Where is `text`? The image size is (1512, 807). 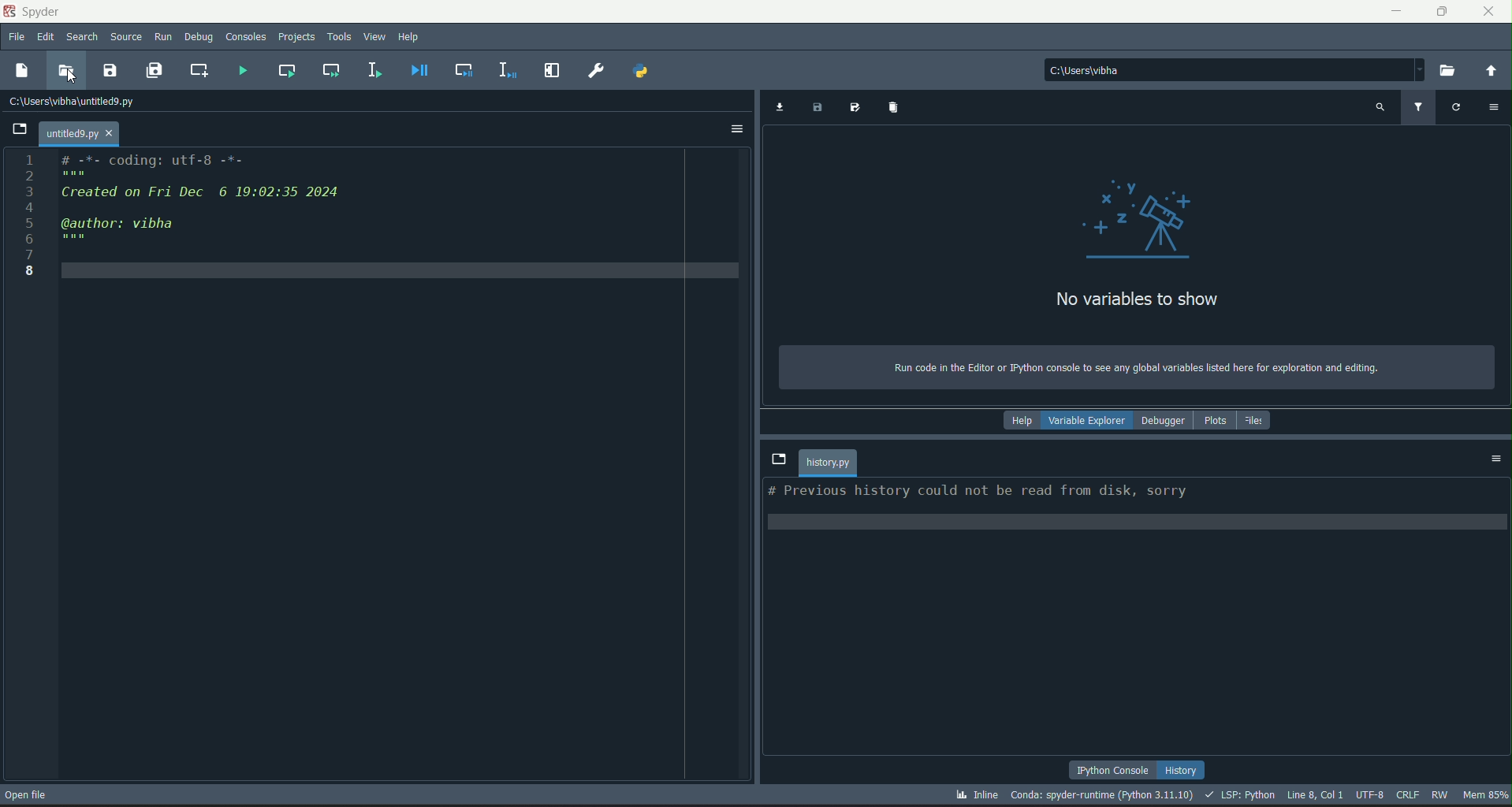
text is located at coordinates (1137, 299).